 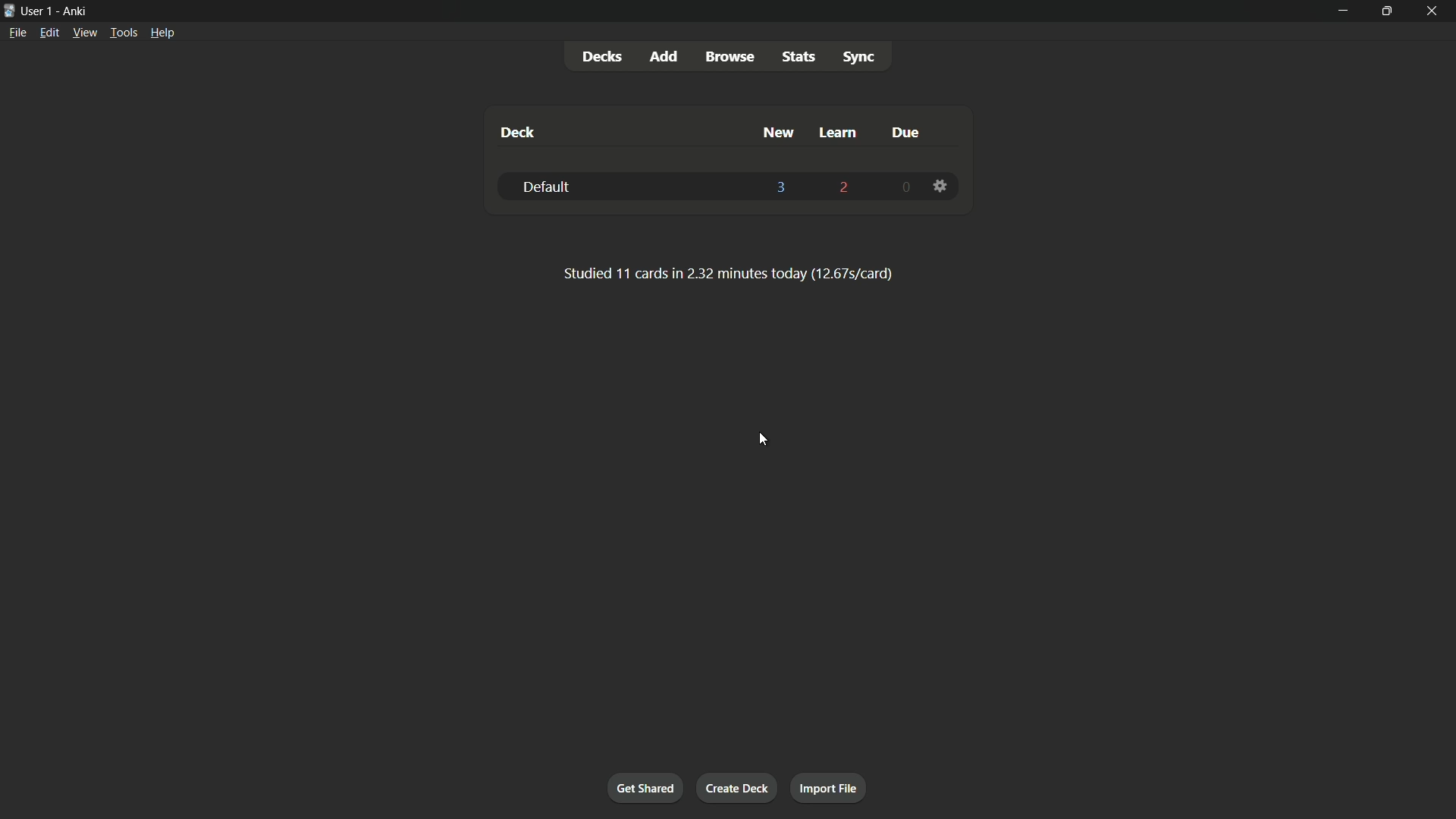 What do you see at coordinates (124, 32) in the screenshot?
I see `tools menu` at bounding box center [124, 32].